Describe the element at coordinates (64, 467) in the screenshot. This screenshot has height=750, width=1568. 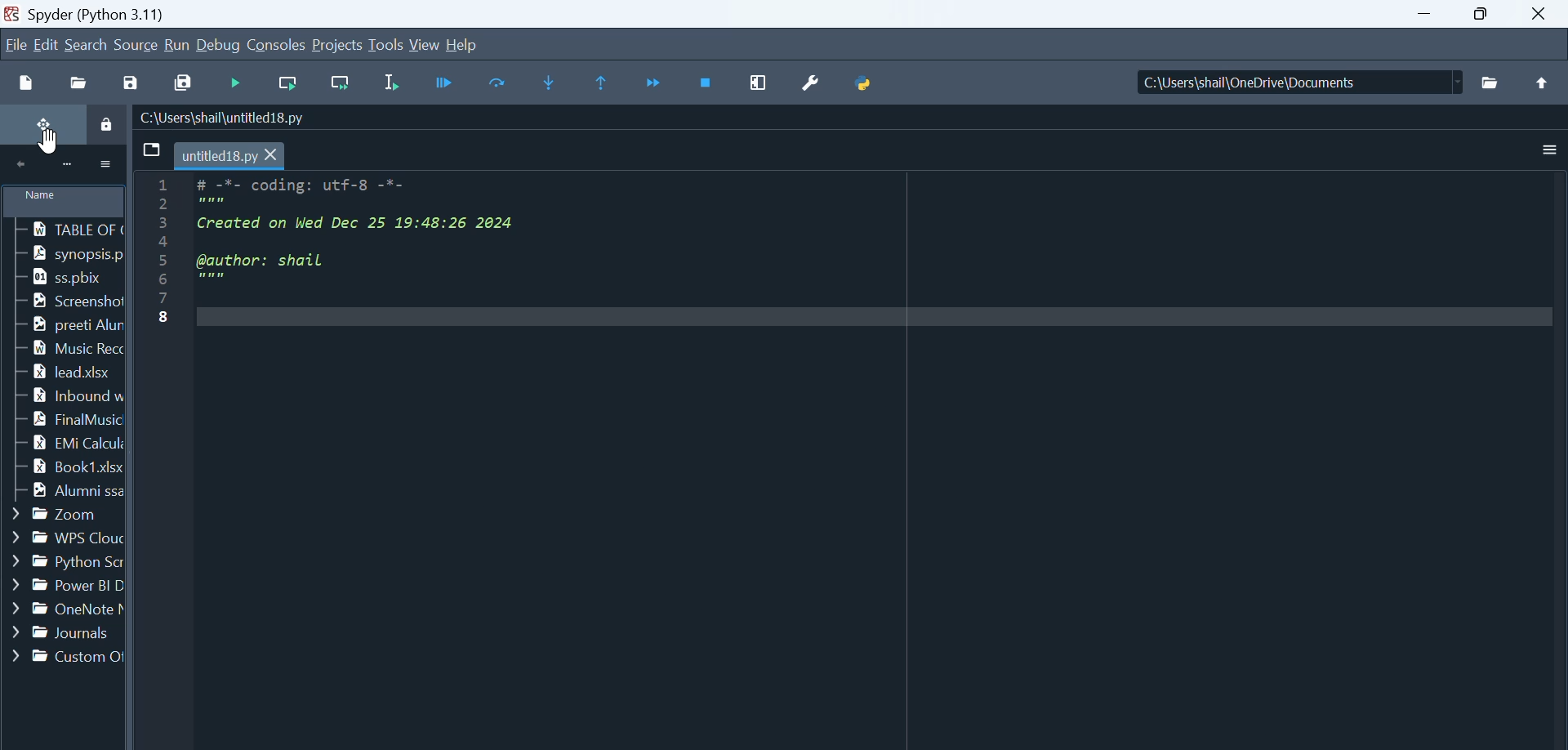
I see `Book1.xIsx..` at that location.